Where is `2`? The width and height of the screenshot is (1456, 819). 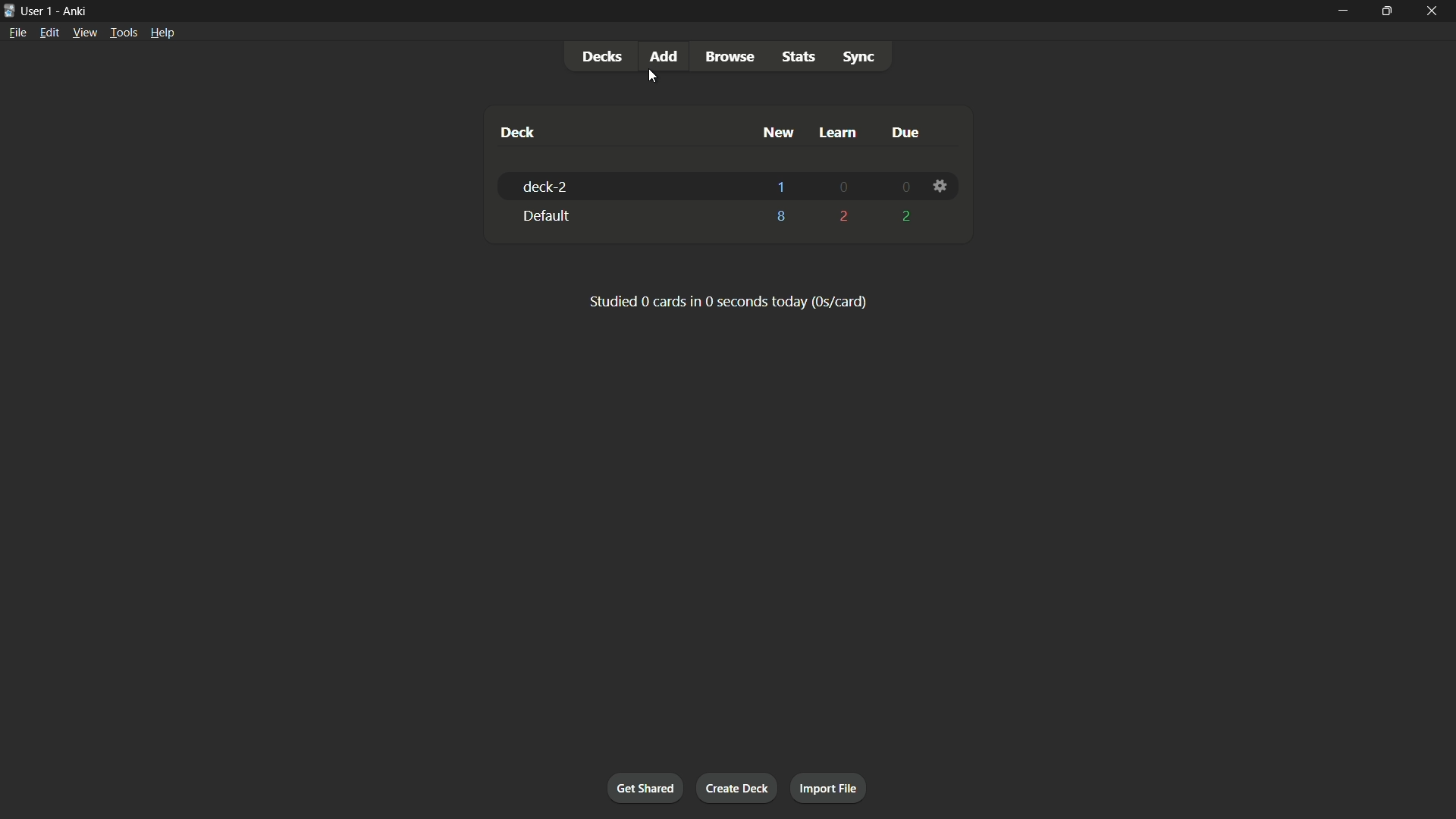
2 is located at coordinates (907, 217).